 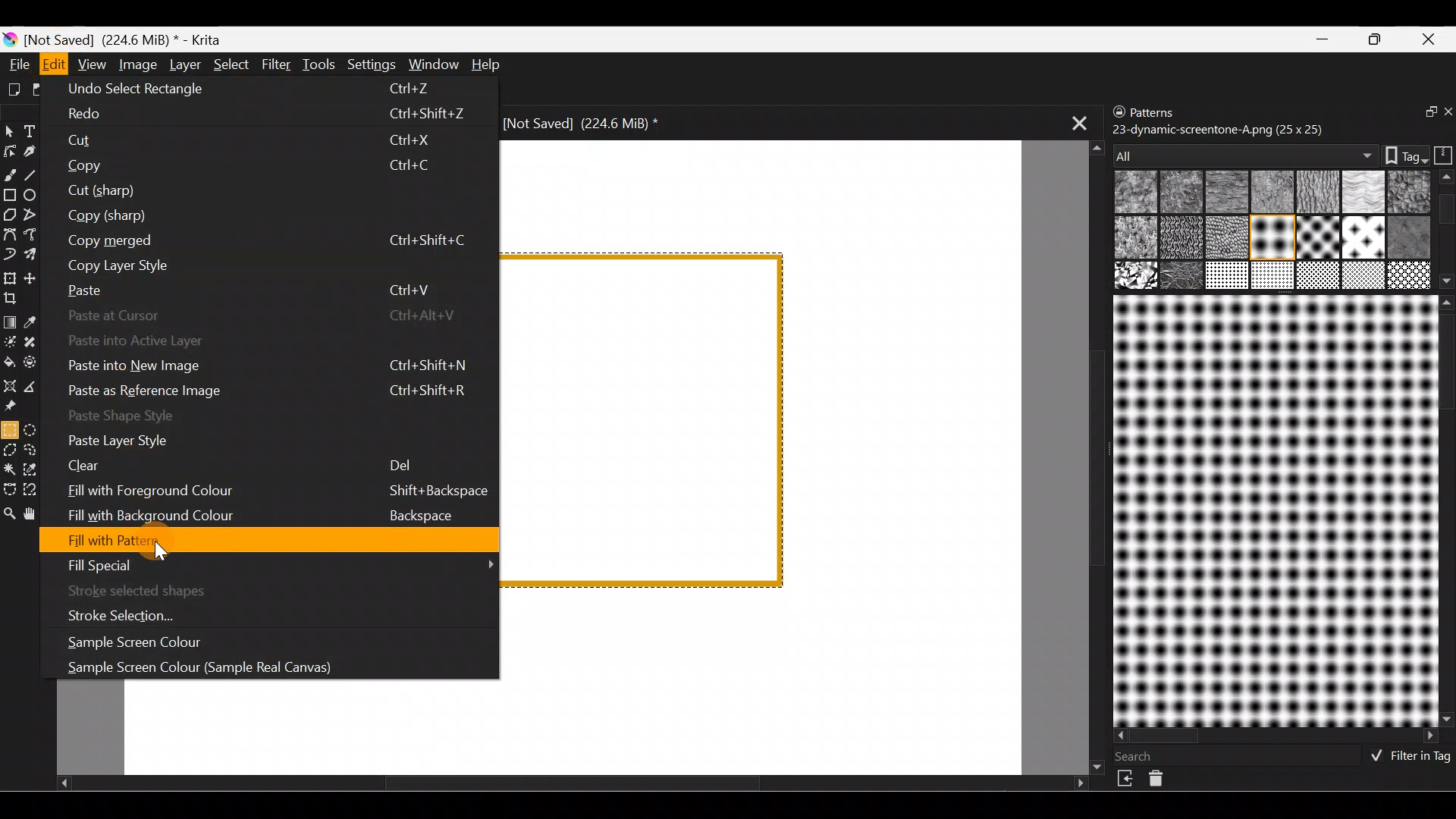 What do you see at coordinates (270, 91) in the screenshot?
I see `Undo select rectangle` at bounding box center [270, 91].